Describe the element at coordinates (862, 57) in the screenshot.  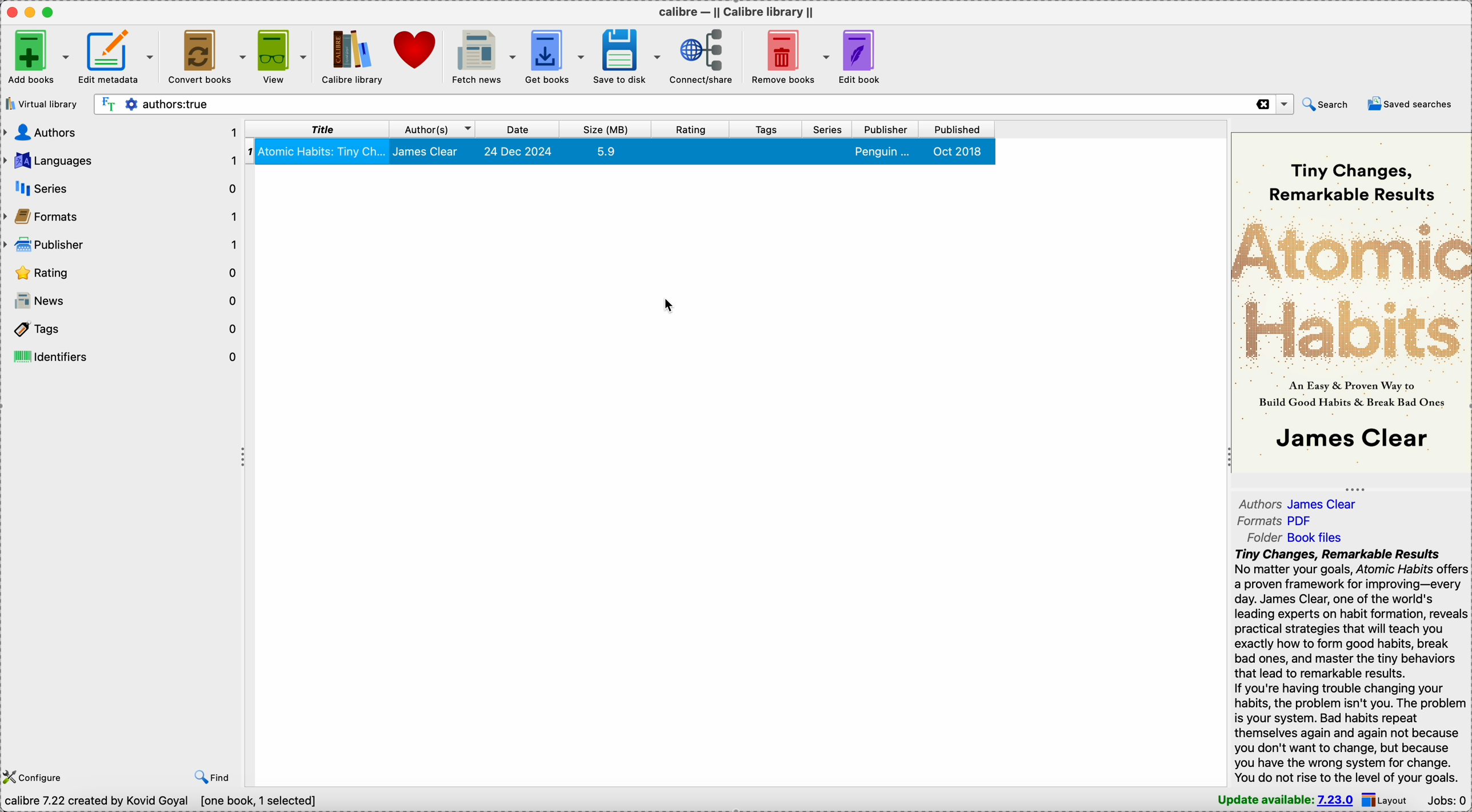
I see `edit book` at that location.